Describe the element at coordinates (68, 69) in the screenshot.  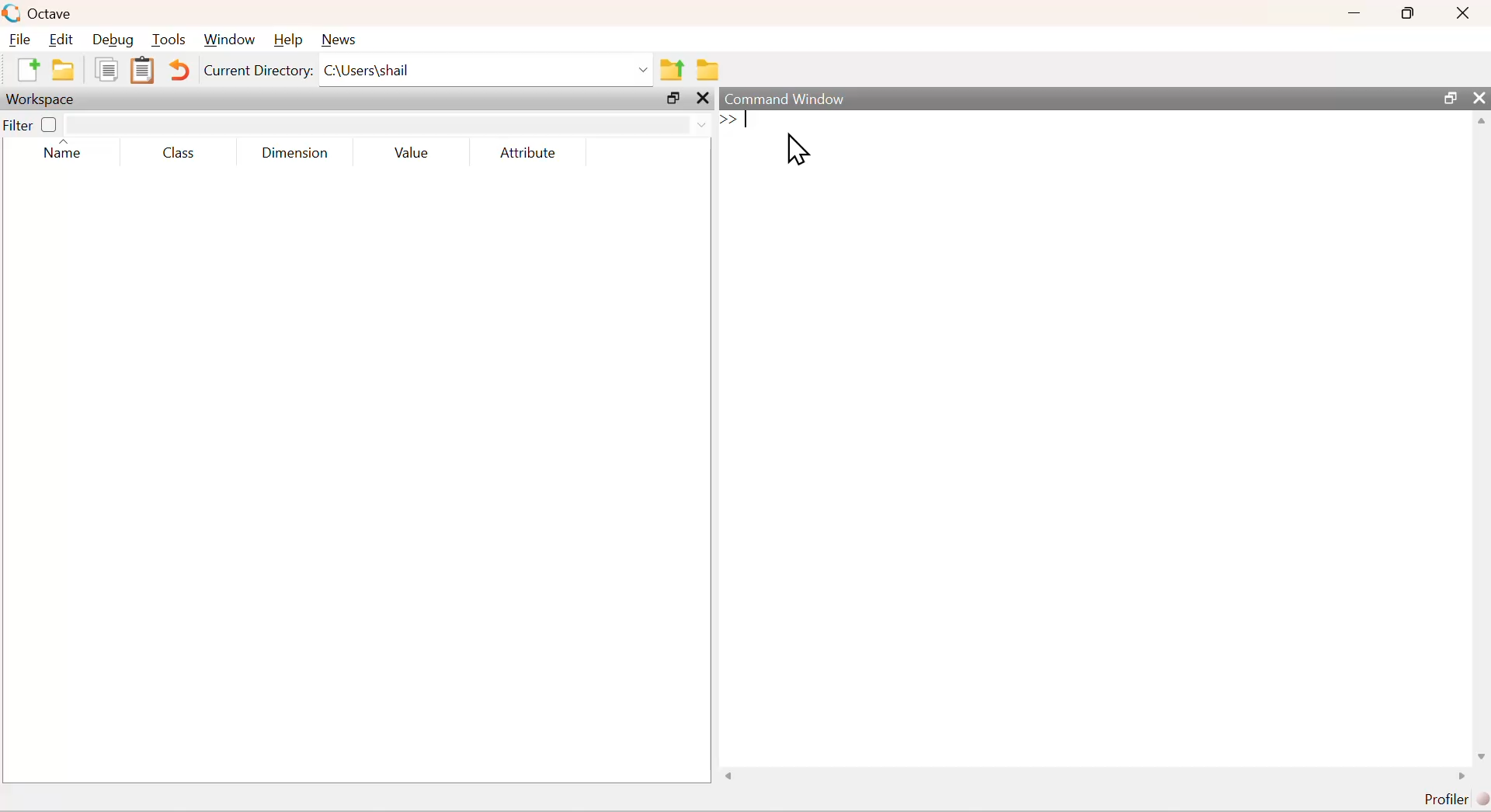
I see `open and existing file` at that location.